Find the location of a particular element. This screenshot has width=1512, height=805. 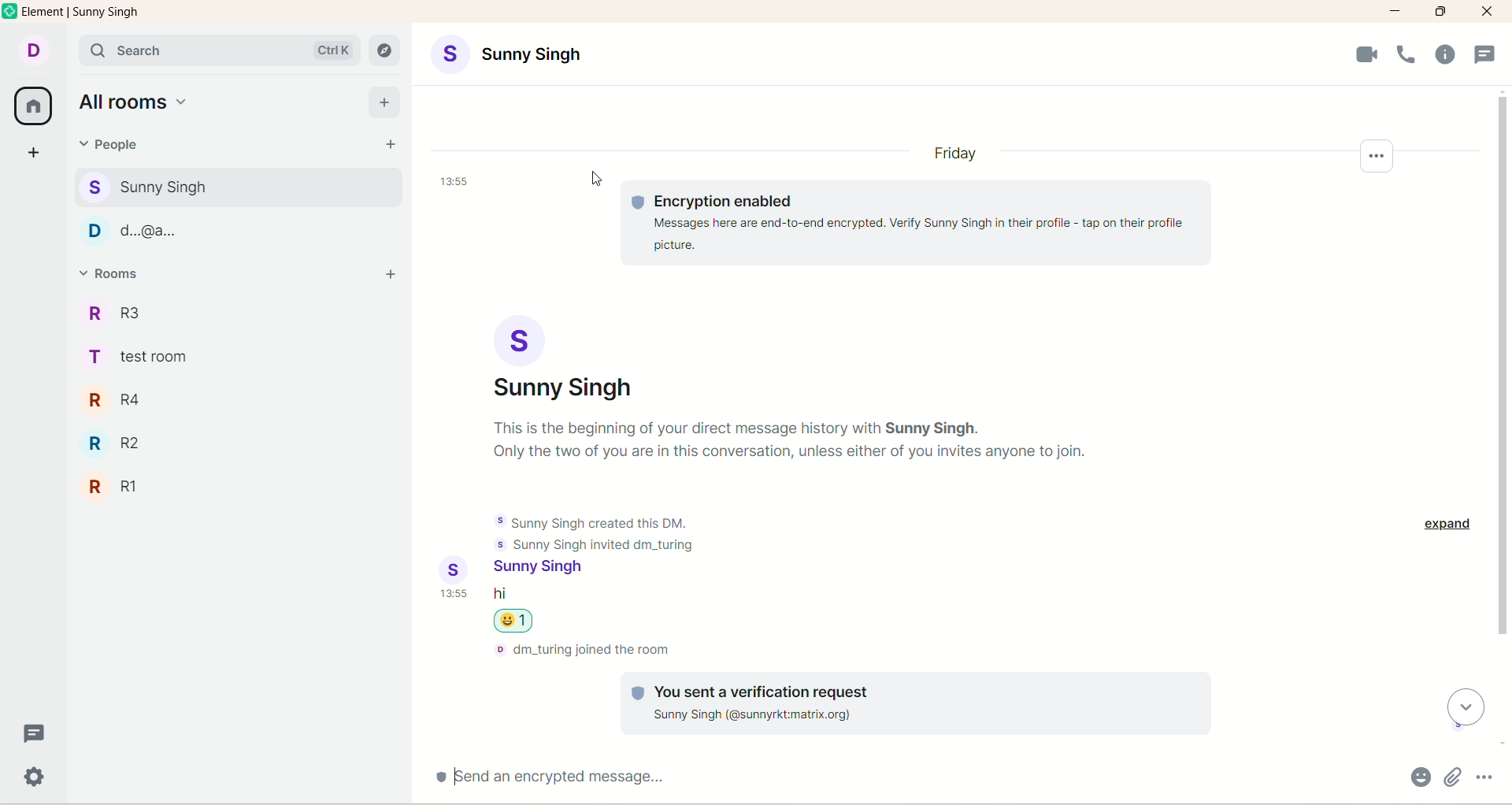

expand is located at coordinates (1447, 523).